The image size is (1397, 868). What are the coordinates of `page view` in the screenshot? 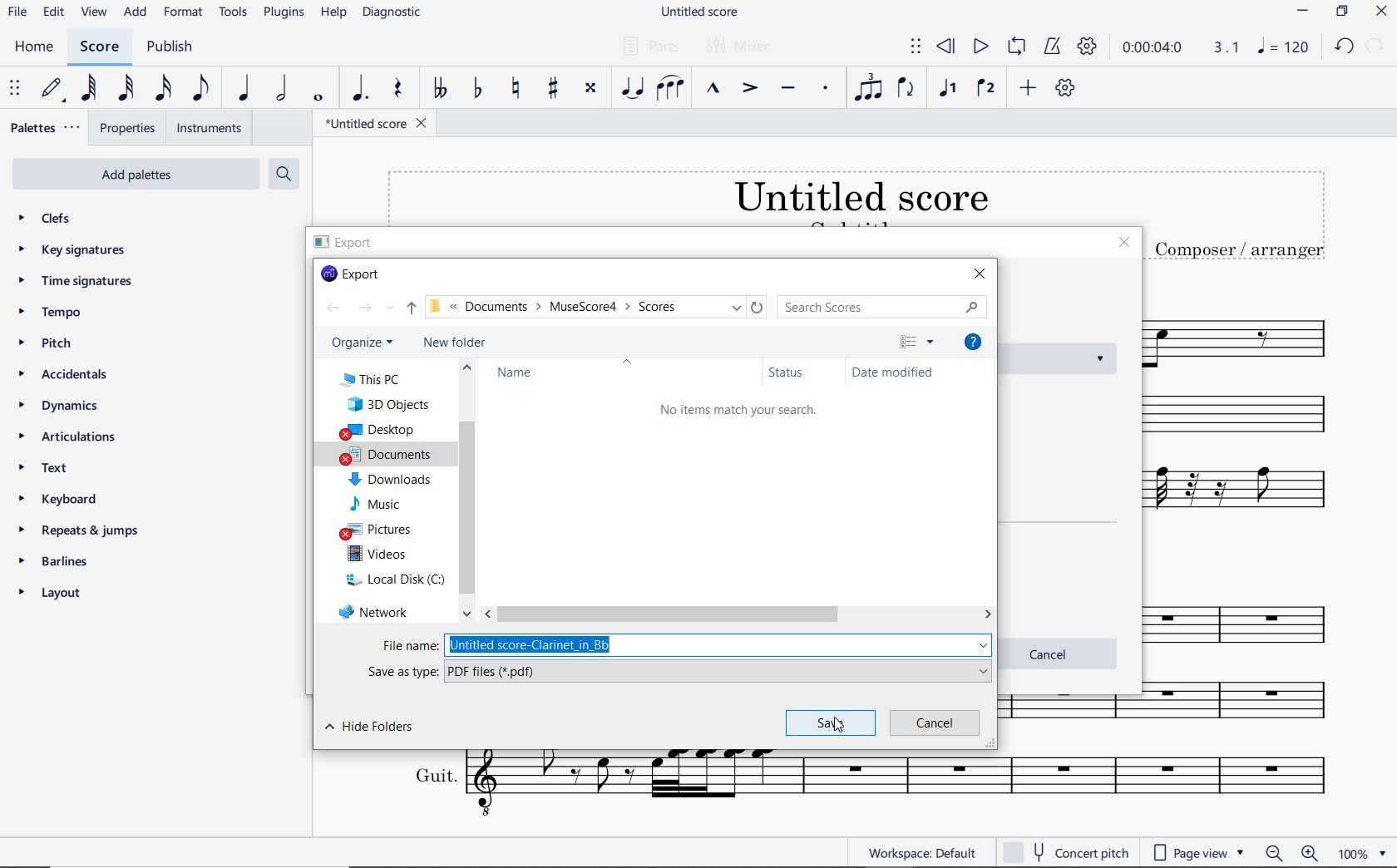 It's located at (1197, 851).